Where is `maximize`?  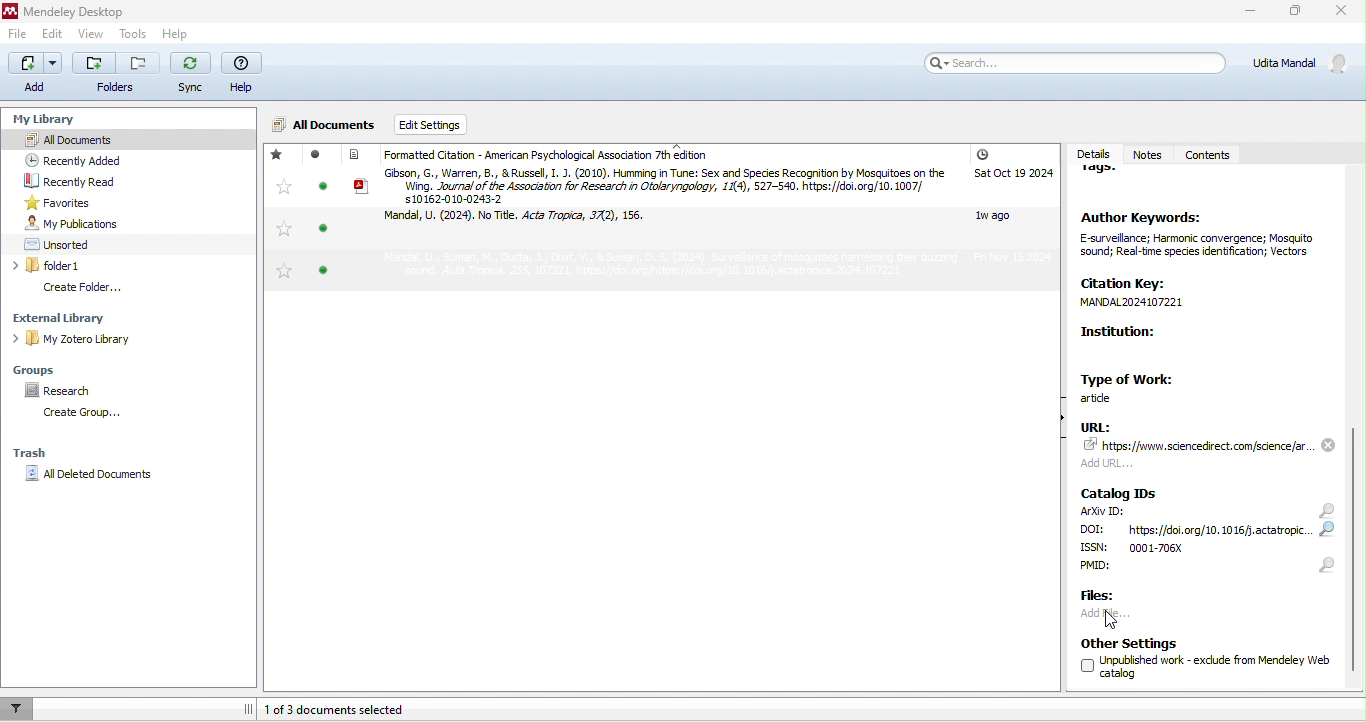 maximize is located at coordinates (1291, 14).